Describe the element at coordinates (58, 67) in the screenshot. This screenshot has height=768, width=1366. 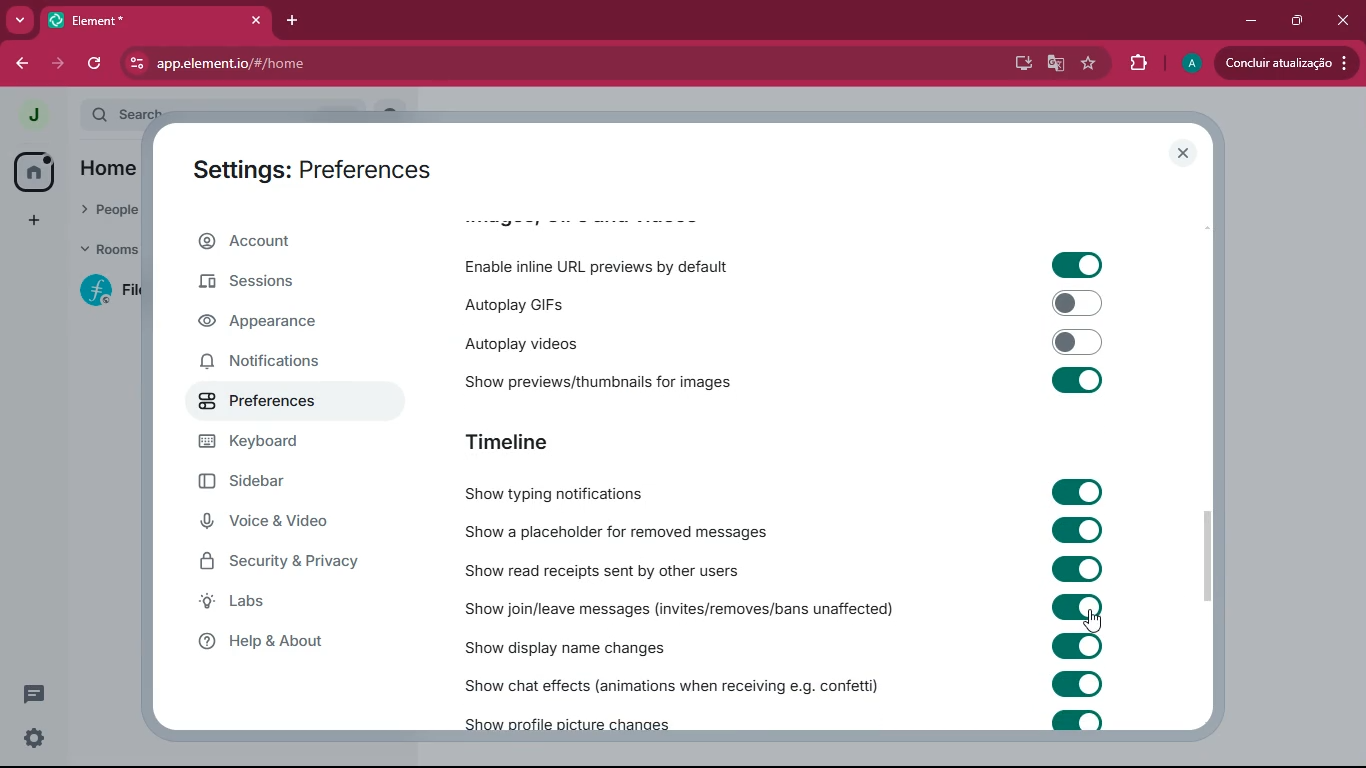
I see `forward` at that location.